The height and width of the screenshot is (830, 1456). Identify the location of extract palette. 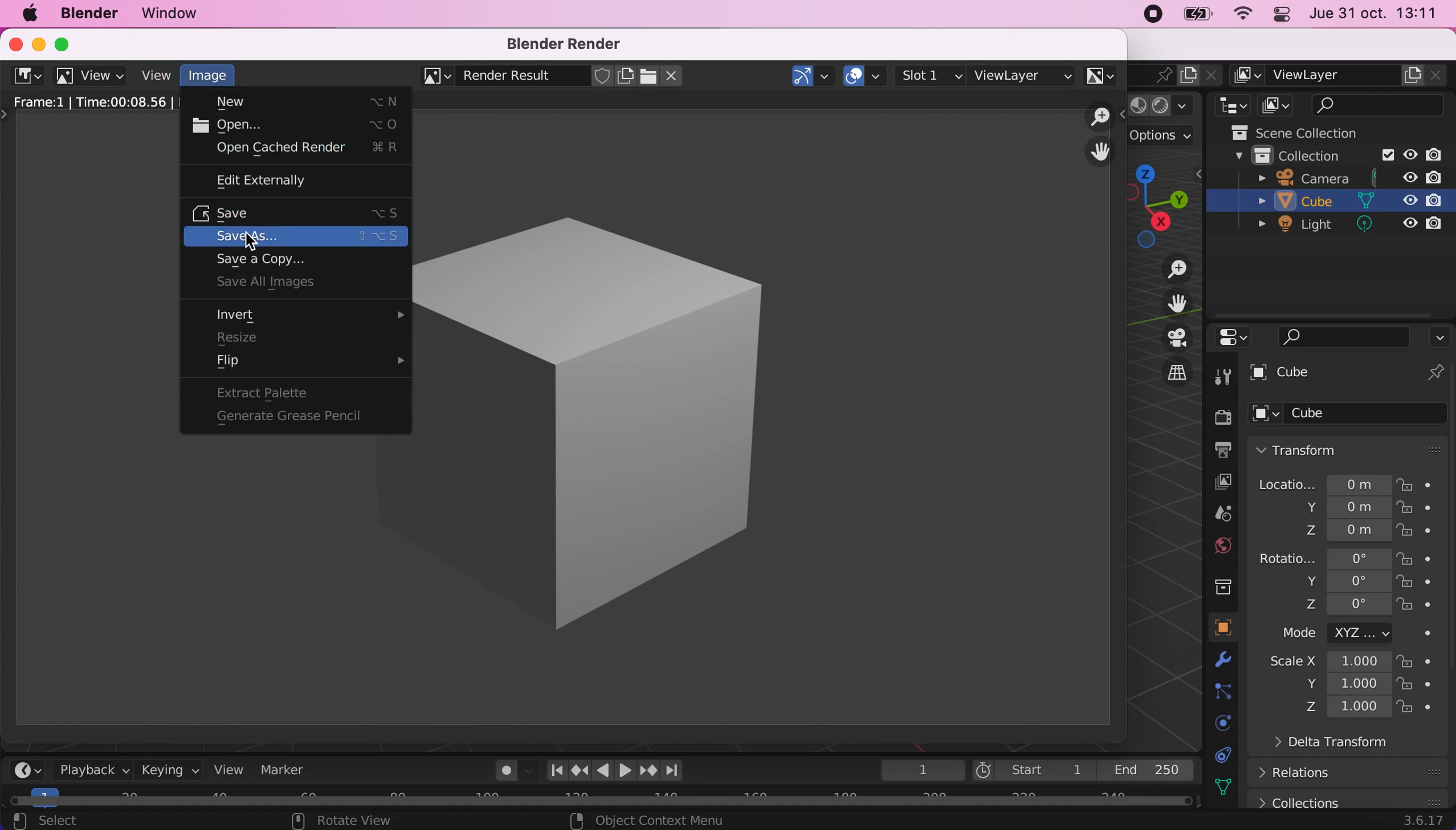
(287, 392).